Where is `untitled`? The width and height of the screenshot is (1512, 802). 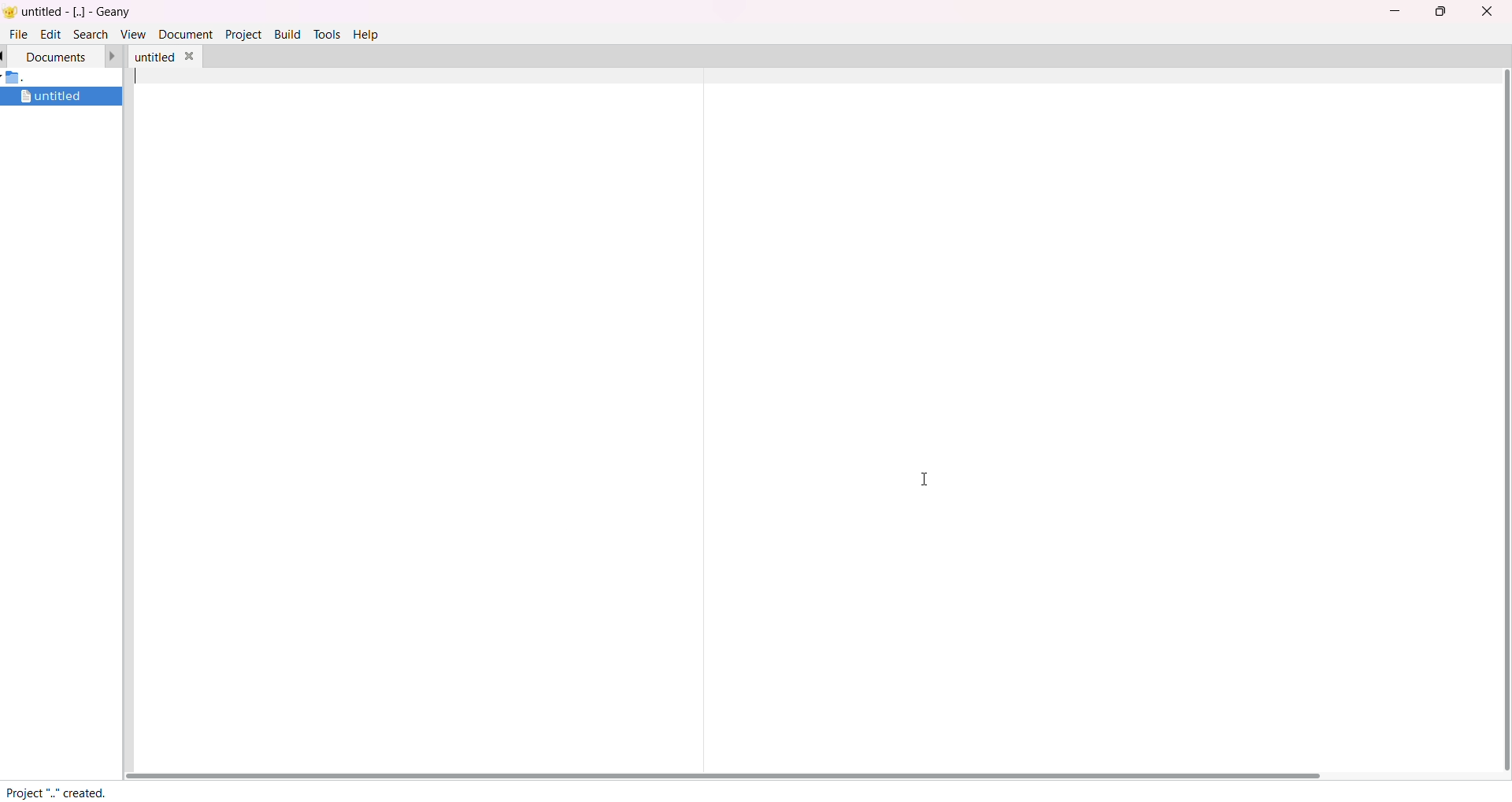
untitled is located at coordinates (154, 58).